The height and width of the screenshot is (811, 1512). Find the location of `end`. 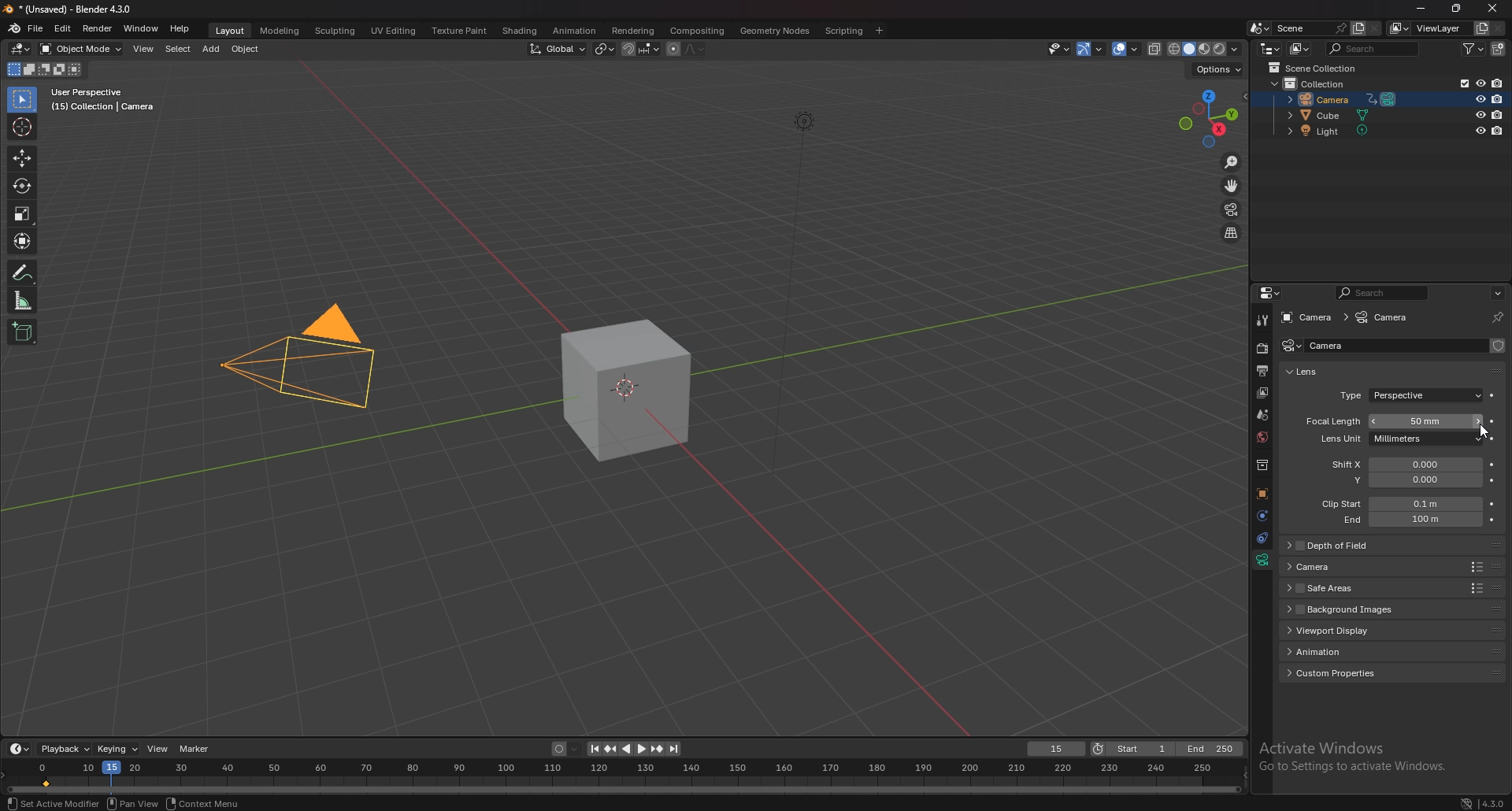

end is located at coordinates (1212, 749).